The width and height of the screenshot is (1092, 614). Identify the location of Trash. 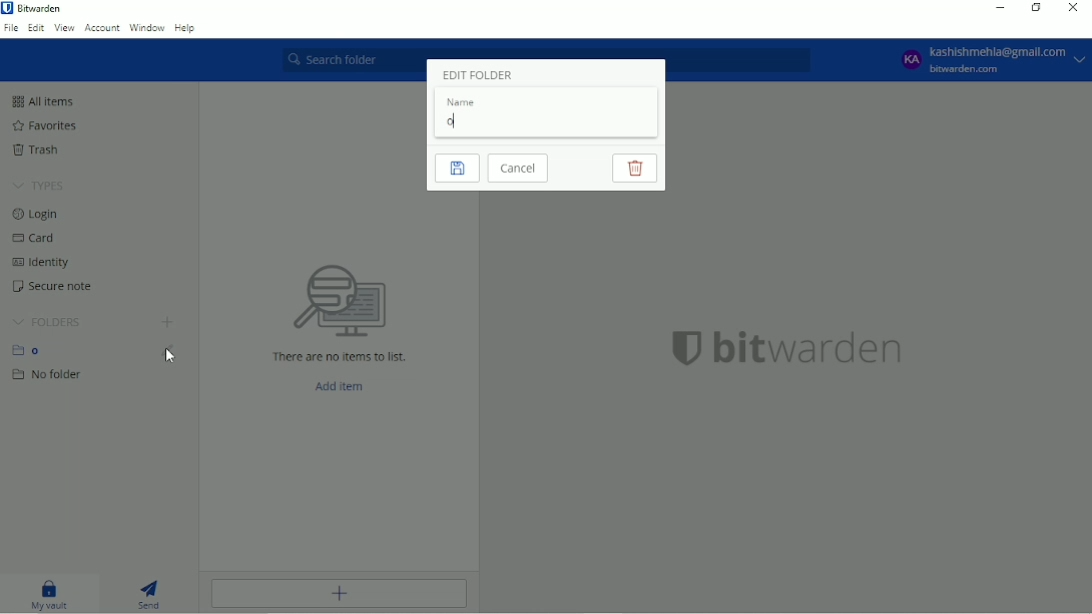
(39, 150).